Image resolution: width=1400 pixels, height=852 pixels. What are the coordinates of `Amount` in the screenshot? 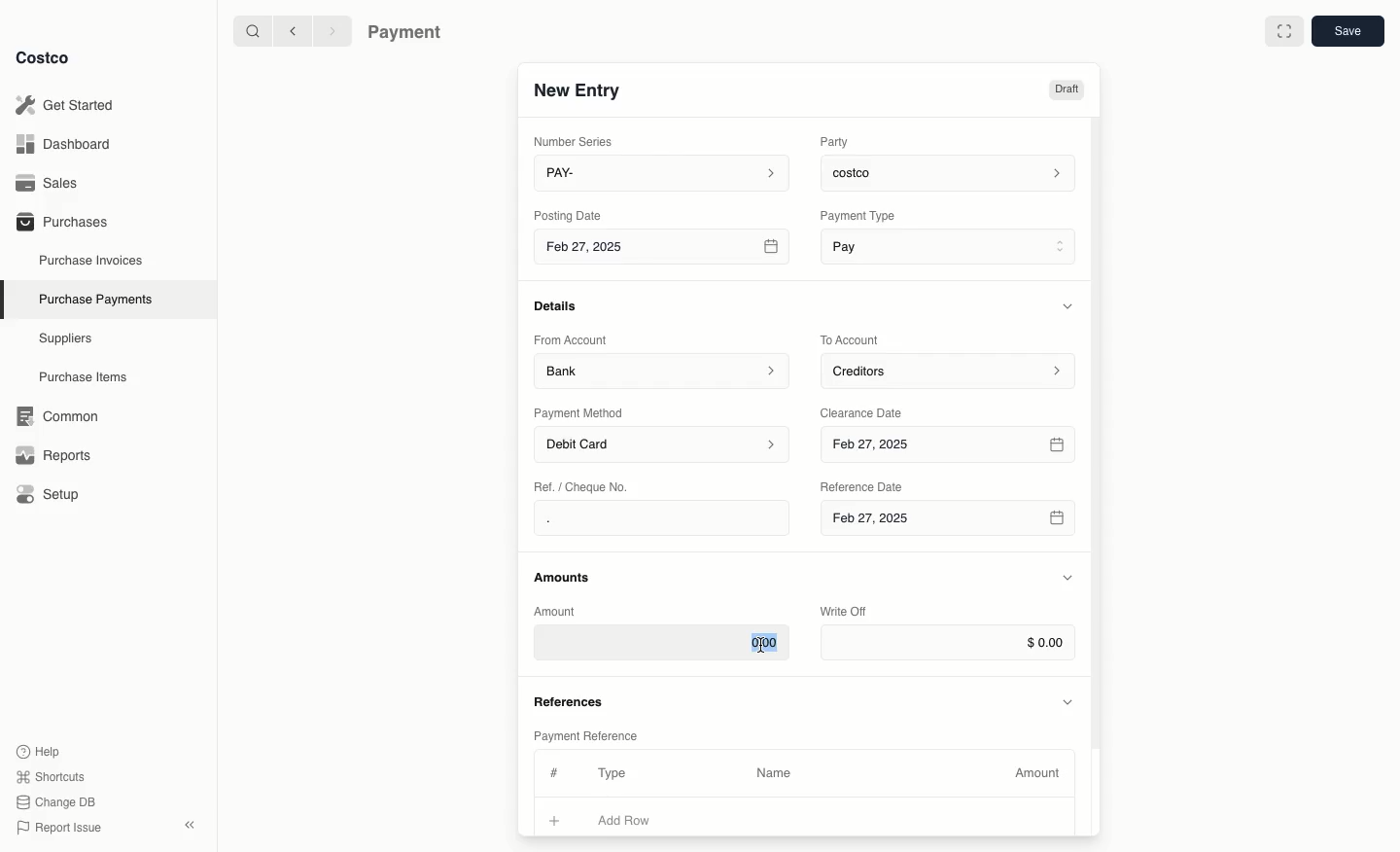 It's located at (558, 611).